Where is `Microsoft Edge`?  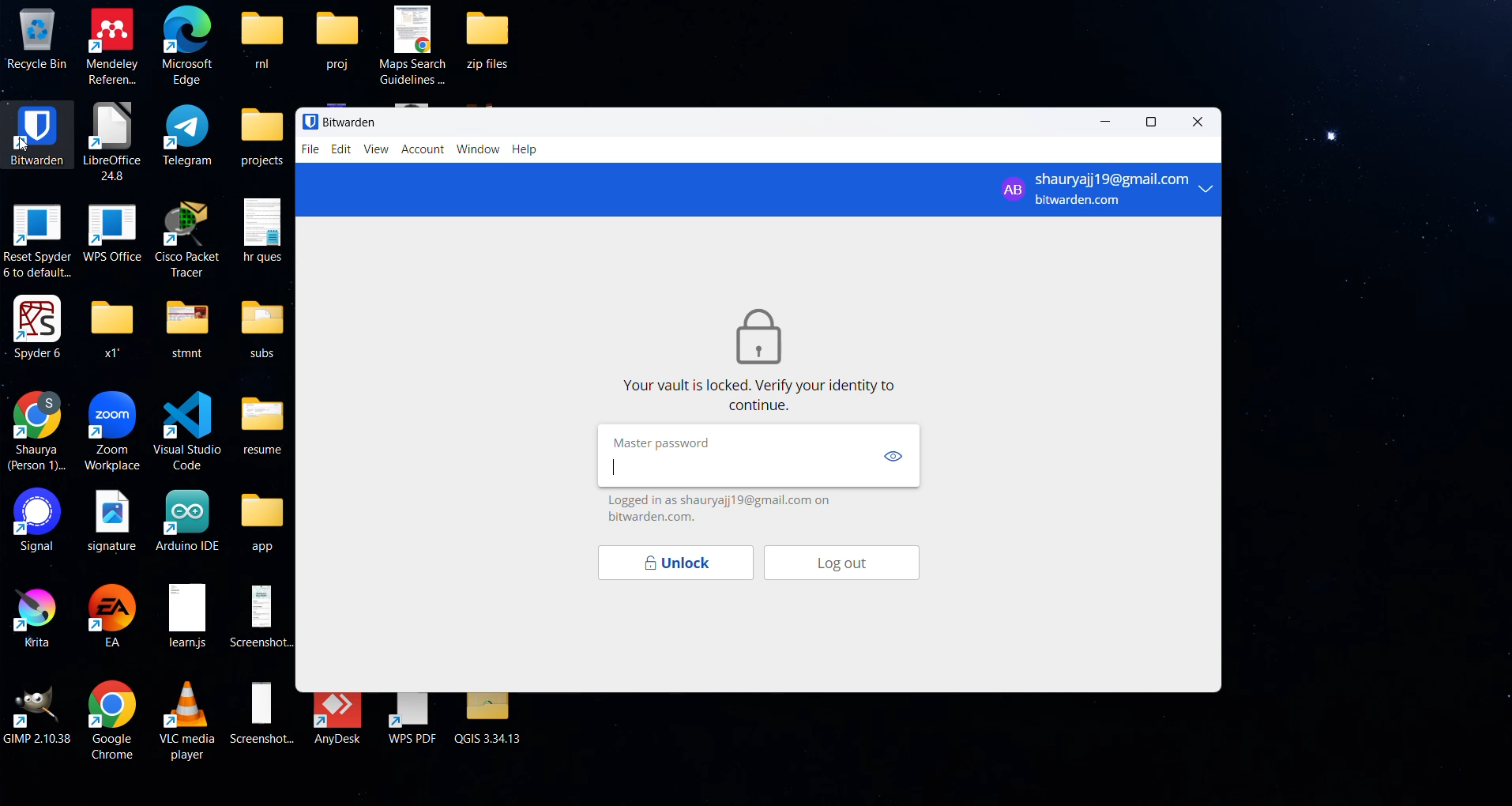
Microsoft Edge is located at coordinates (188, 47).